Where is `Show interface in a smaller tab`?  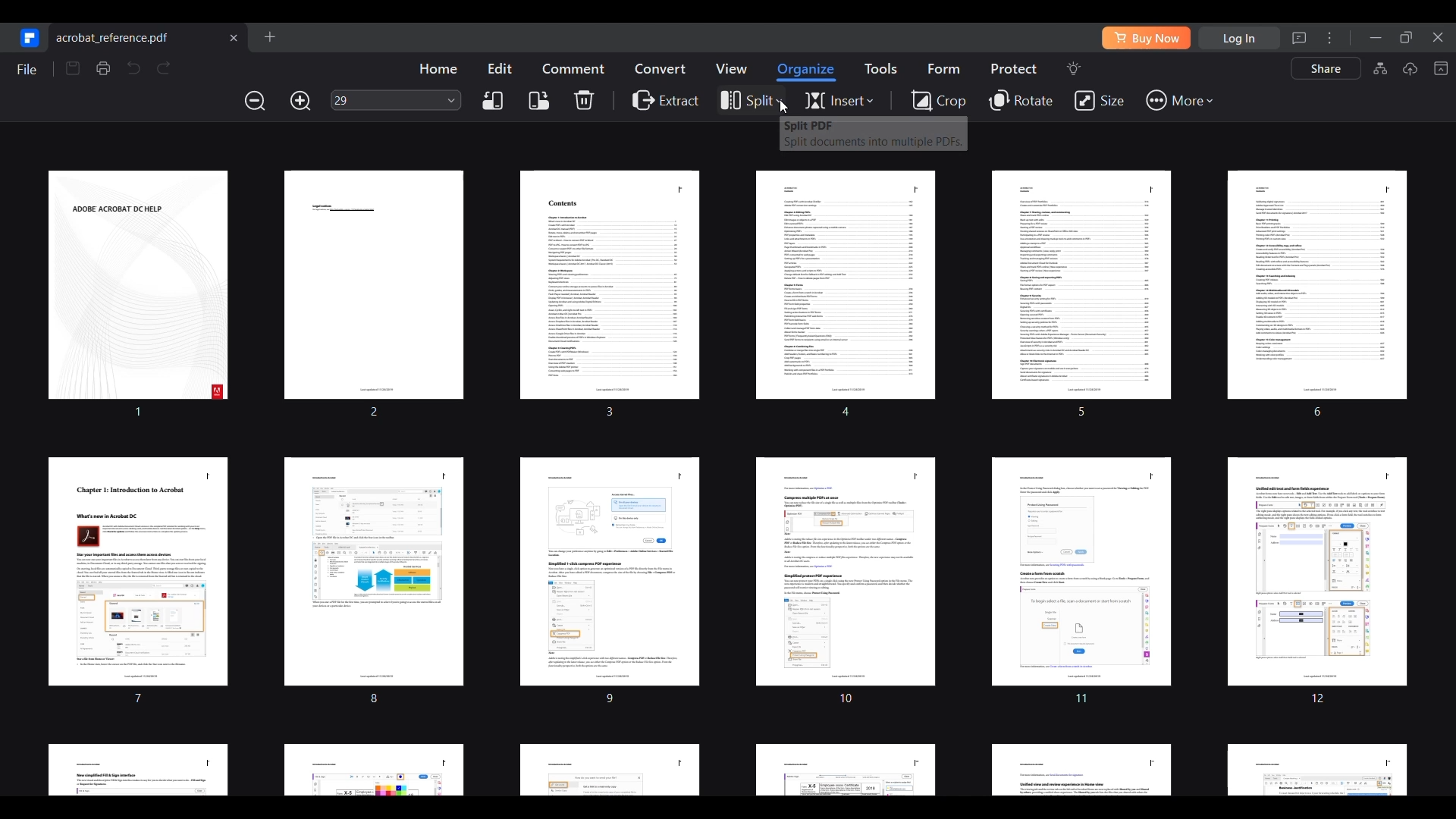 Show interface in a smaller tab is located at coordinates (1406, 37).